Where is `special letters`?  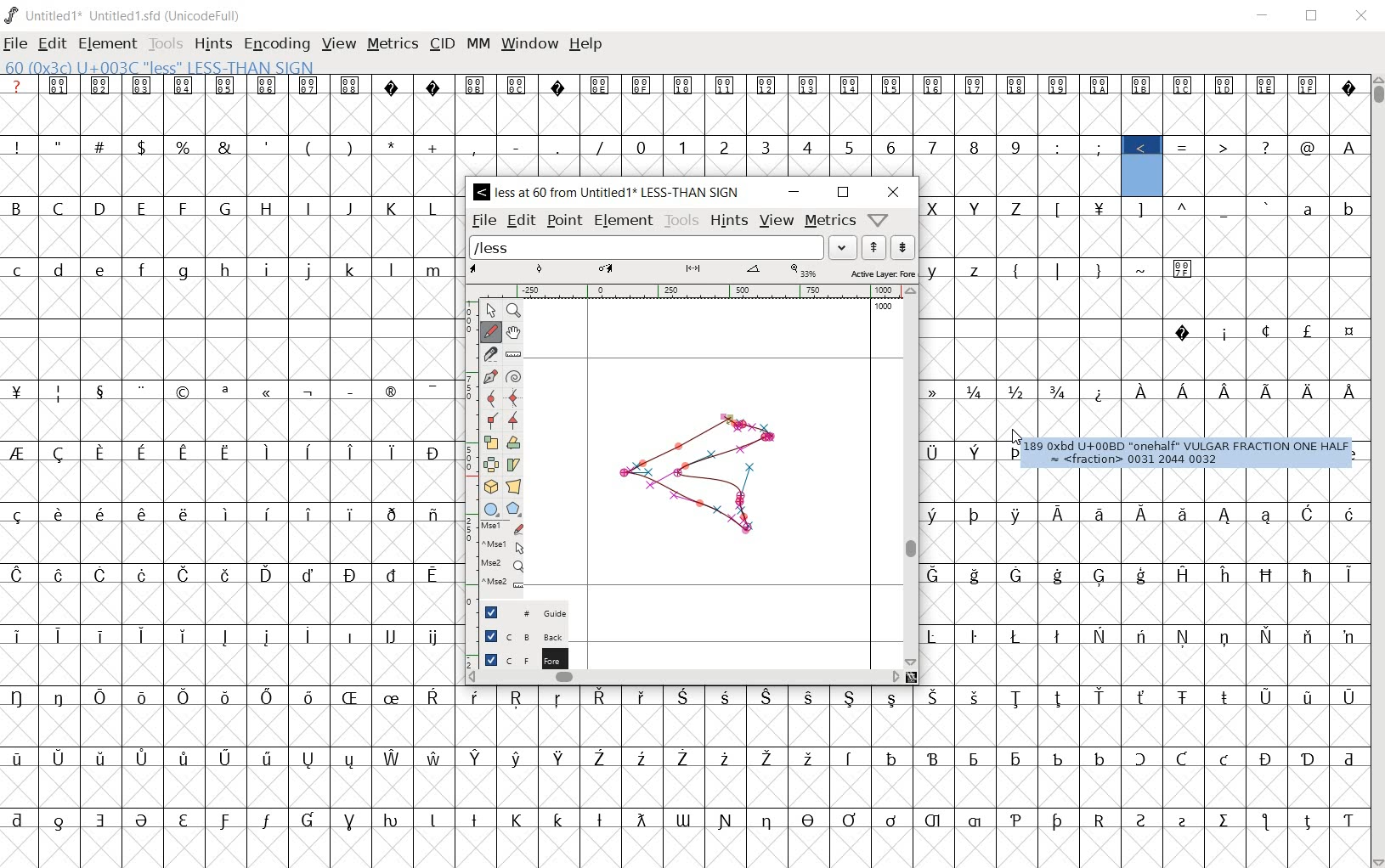 special letters is located at coordinates (235, 452).